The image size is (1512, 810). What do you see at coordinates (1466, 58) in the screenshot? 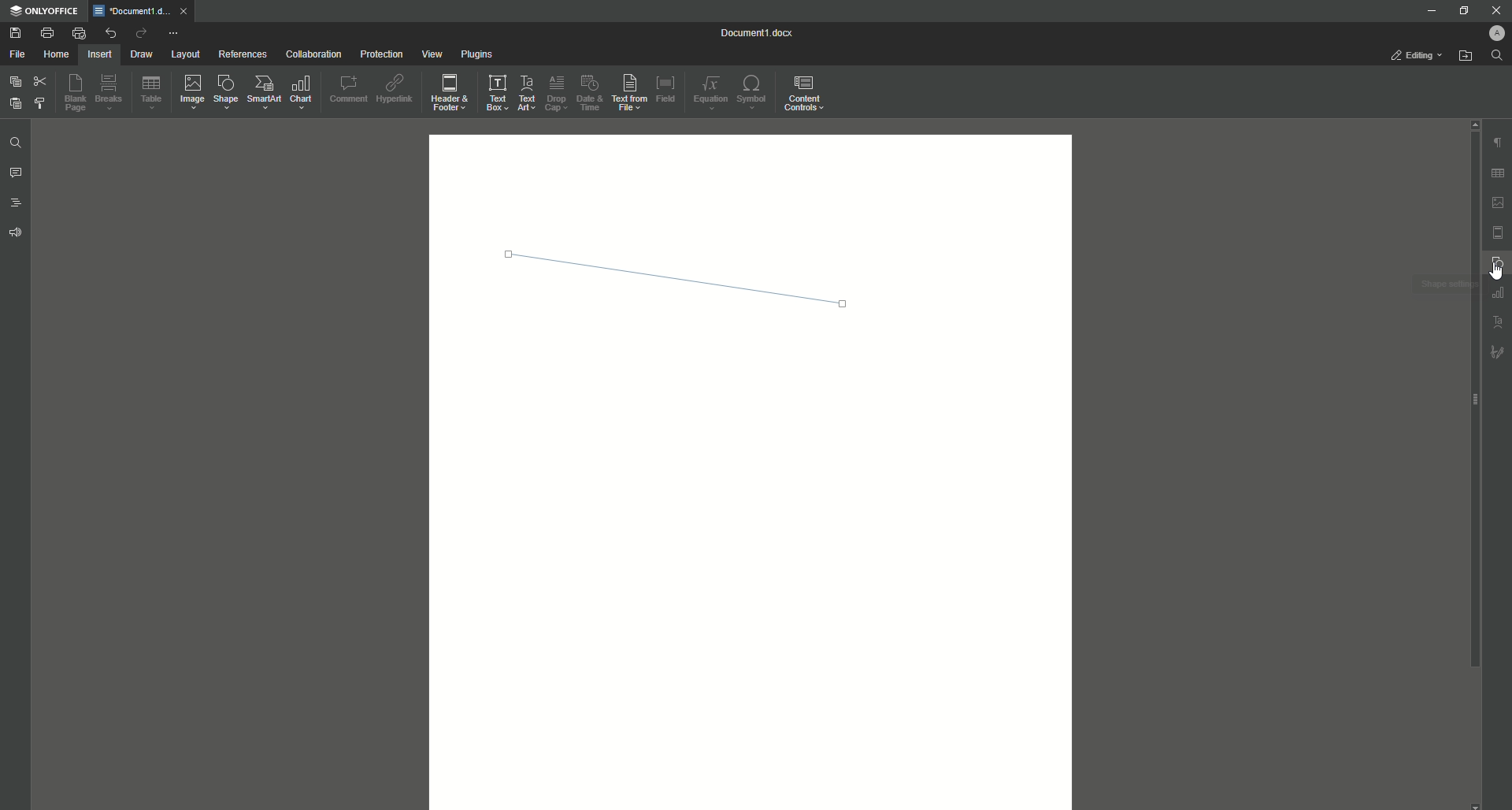
I see `Open From File` at bounding box center [1466, 58].